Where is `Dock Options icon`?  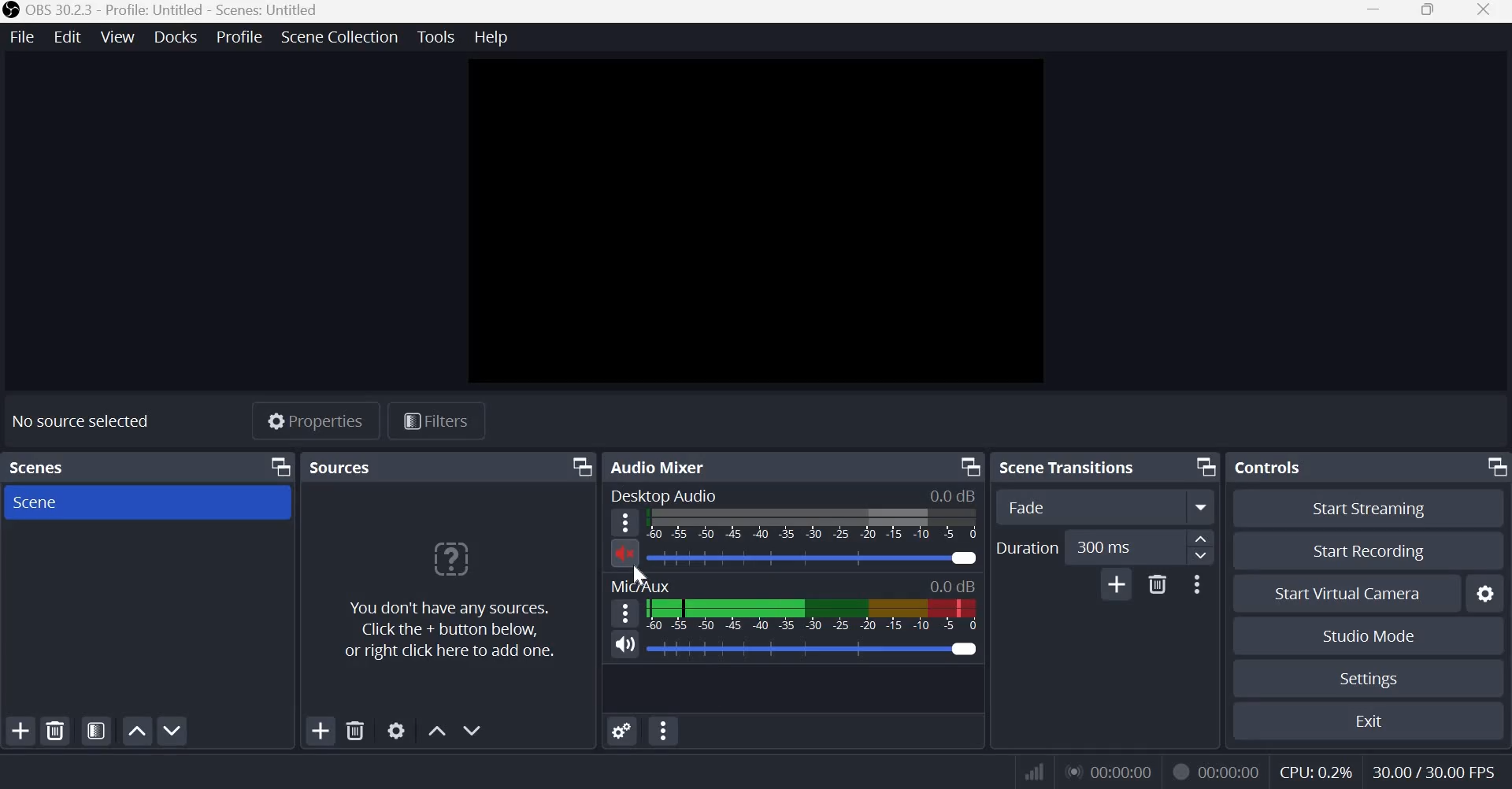 Dock Options icon is located at coordinates (1202, 468).